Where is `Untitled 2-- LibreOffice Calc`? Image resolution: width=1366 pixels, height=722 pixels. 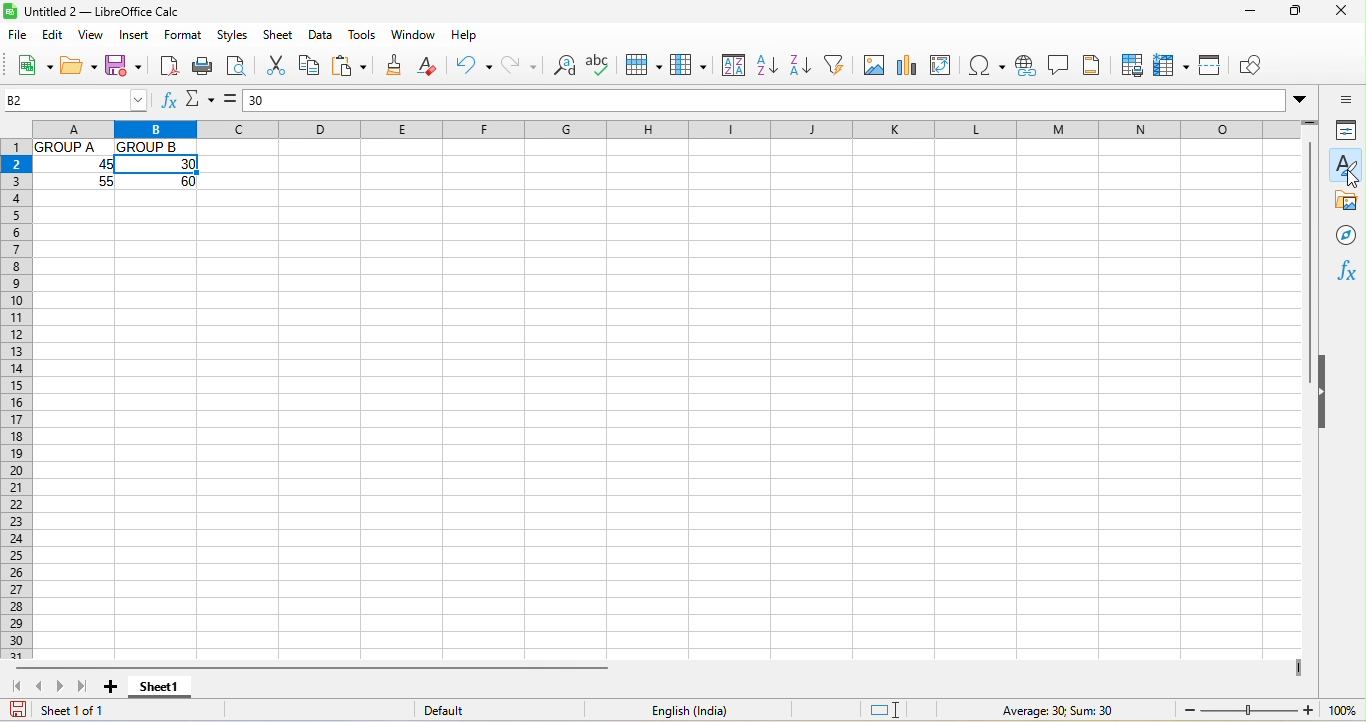 Untitled 2-- LibreOffice Calc is located at coordinates (126, 12).